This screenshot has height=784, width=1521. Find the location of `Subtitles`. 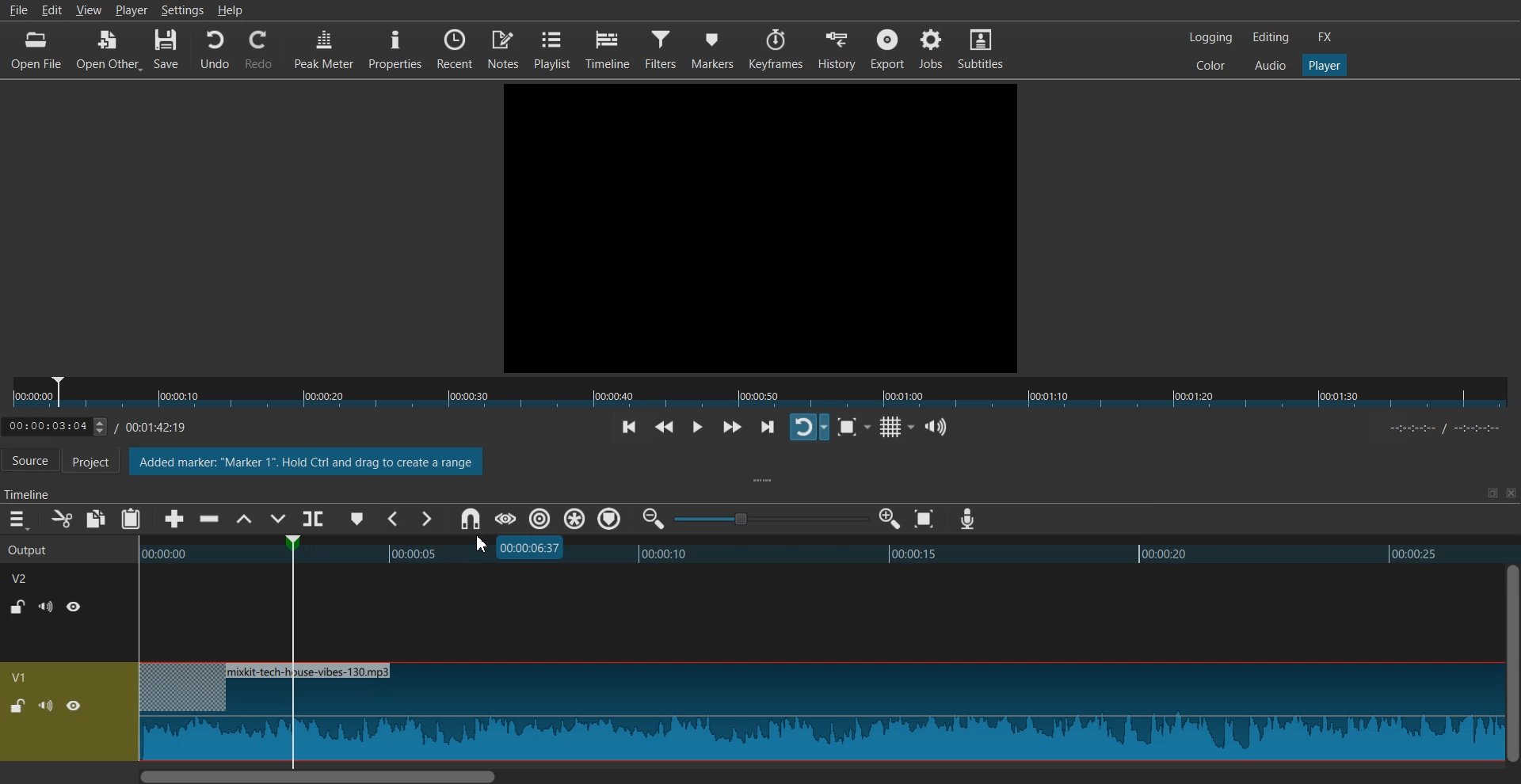

Subtitles is located at coordinates (981, 48).